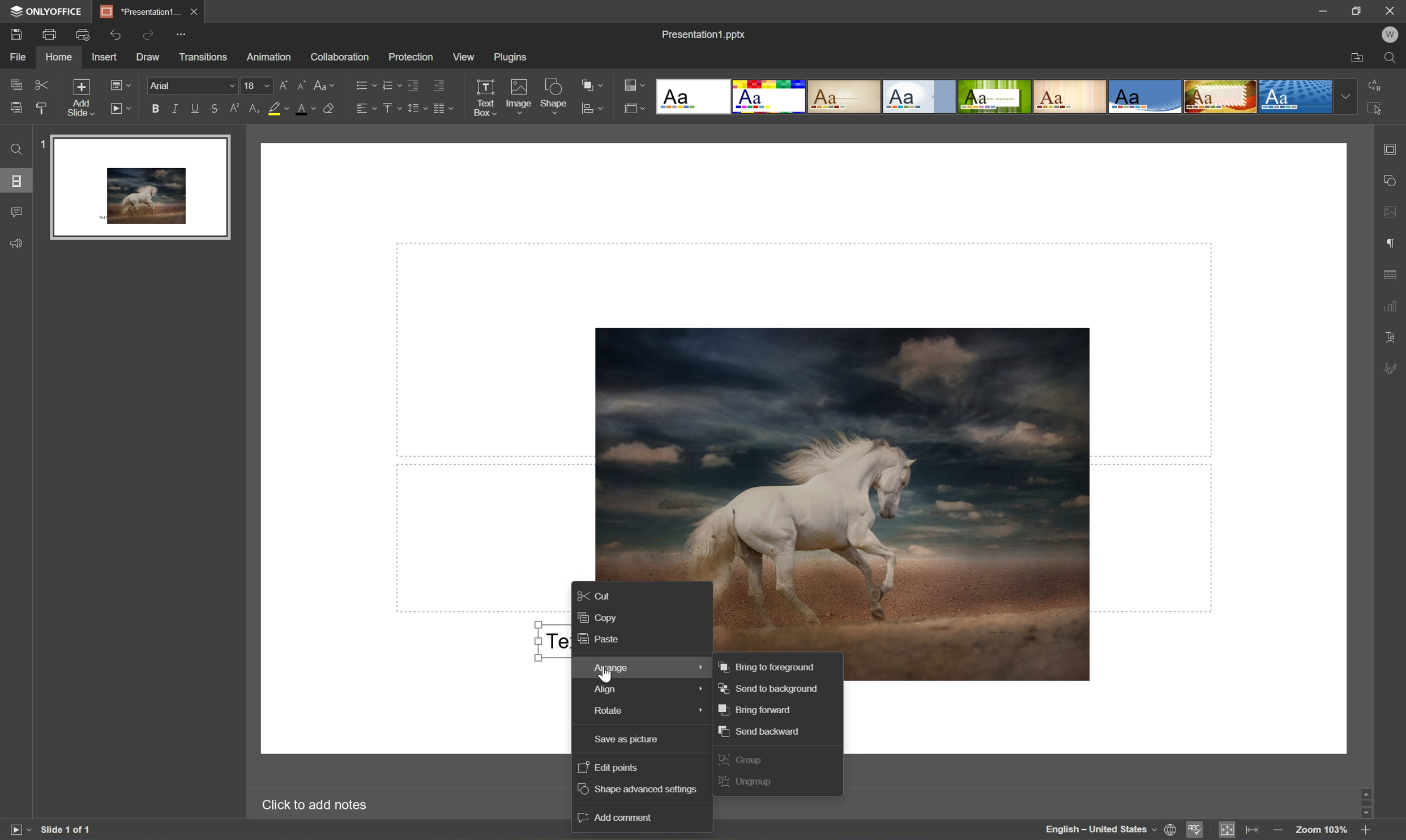 This screenshot has width=1406, height=840. Describe the element at coordinates (1279, 833) in the screenshot. I see `Zoom out` at that location.